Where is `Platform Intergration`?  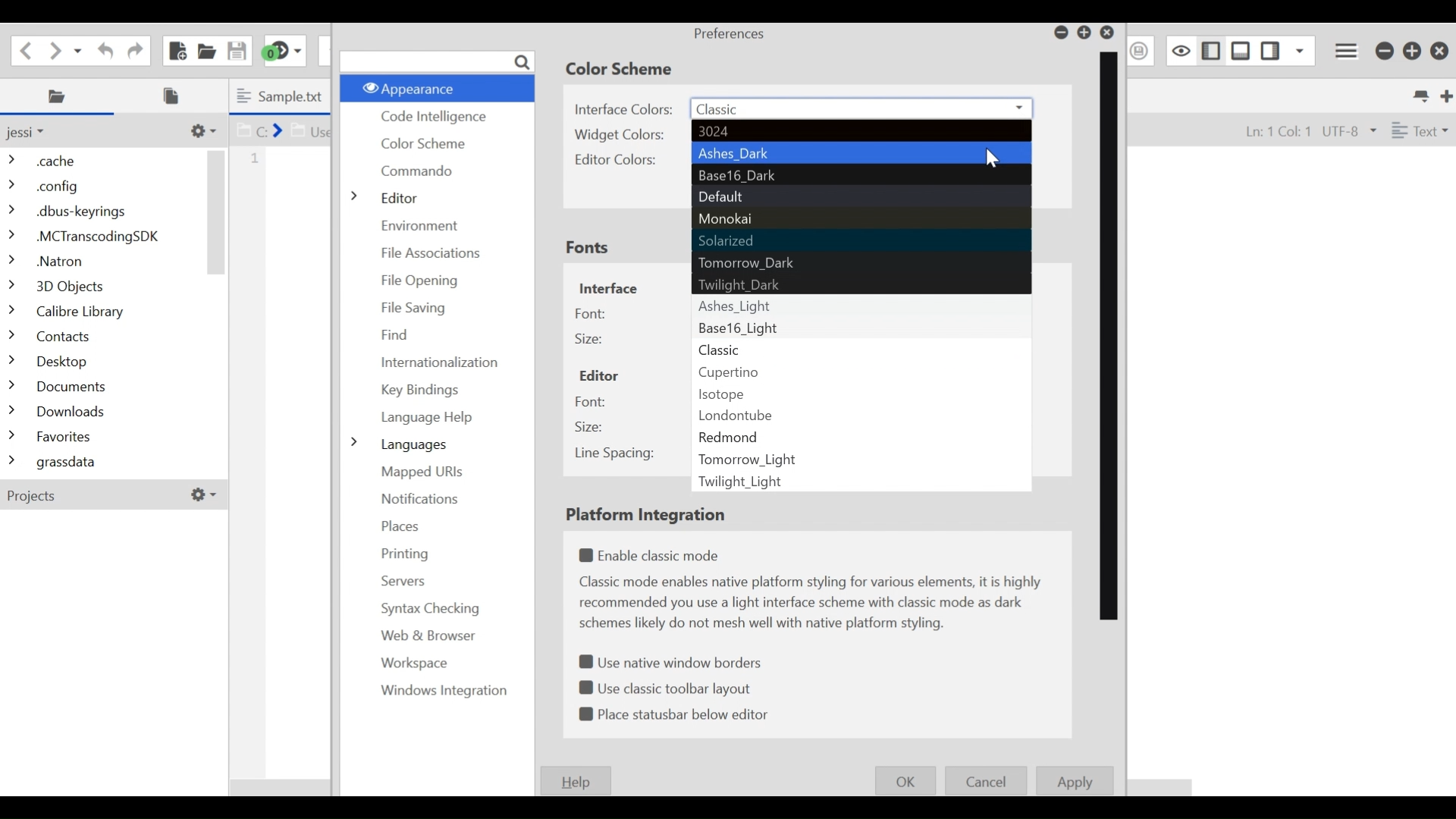
Platform Intergration is located at coordinates (651, 516).